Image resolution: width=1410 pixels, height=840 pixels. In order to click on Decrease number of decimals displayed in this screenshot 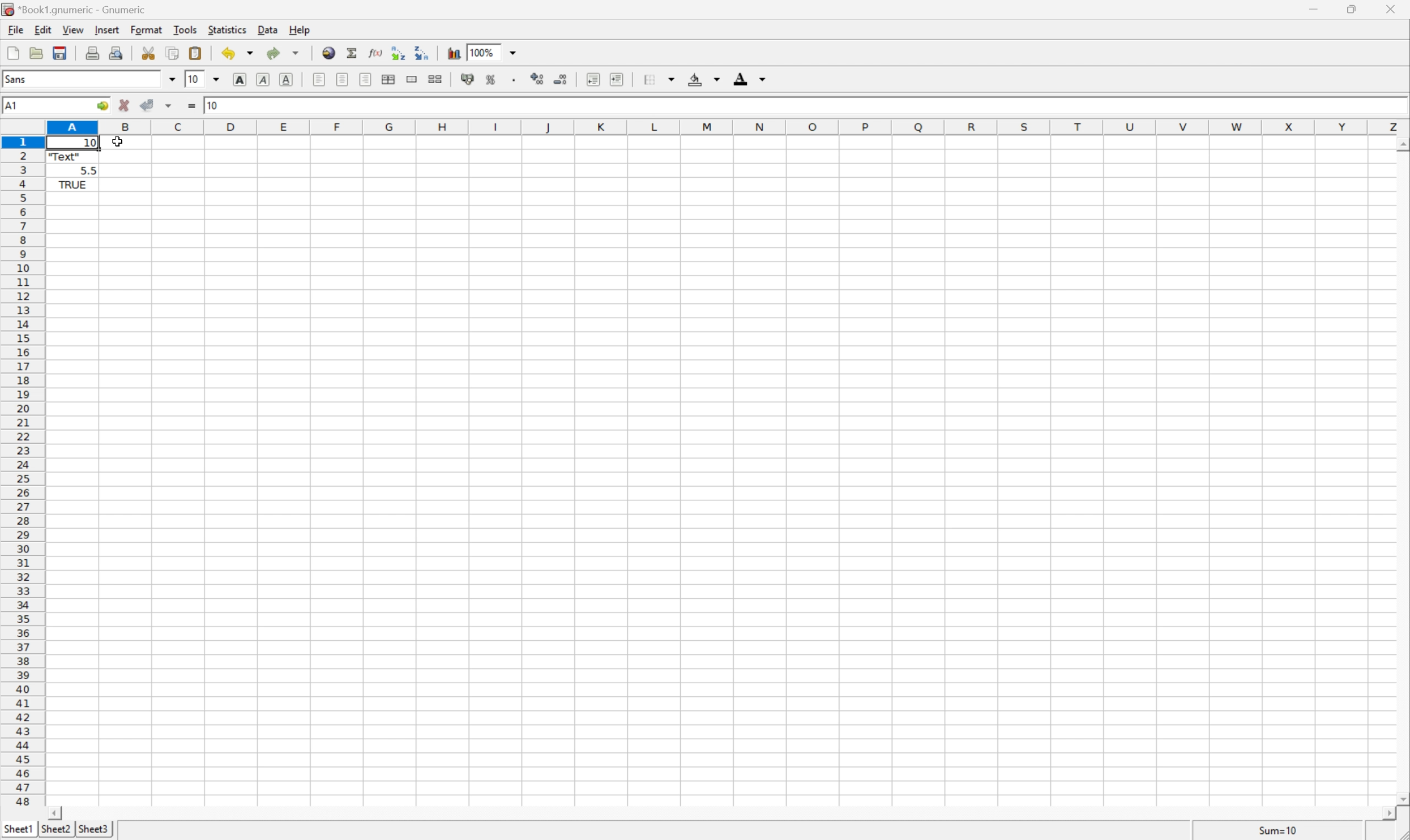, I will do `click(562, 80)`.